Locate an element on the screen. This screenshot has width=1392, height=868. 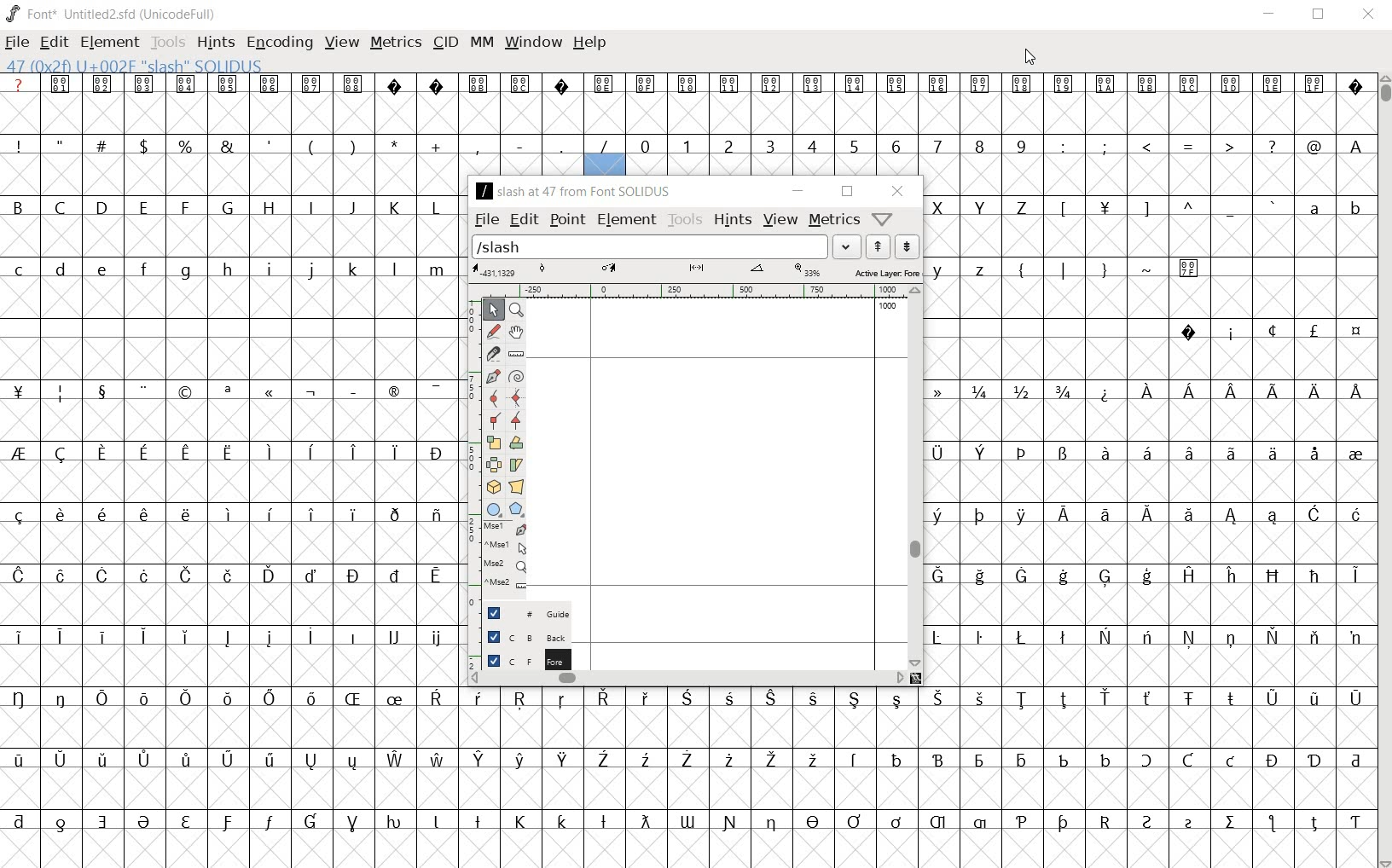
special letters is located at coordinates (1148, 451).